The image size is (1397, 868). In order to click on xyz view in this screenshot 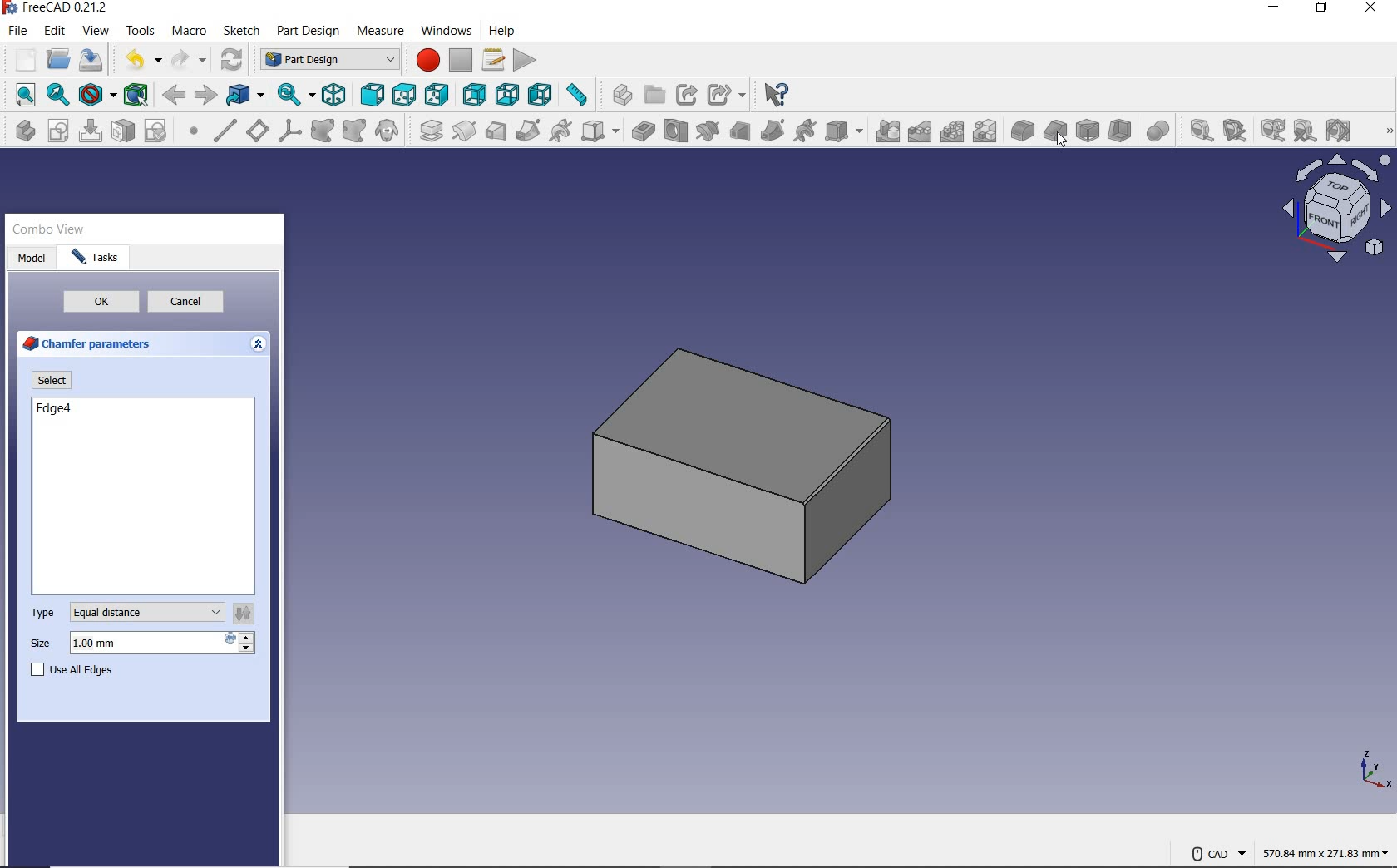, I will do `click(1372, 769)`.